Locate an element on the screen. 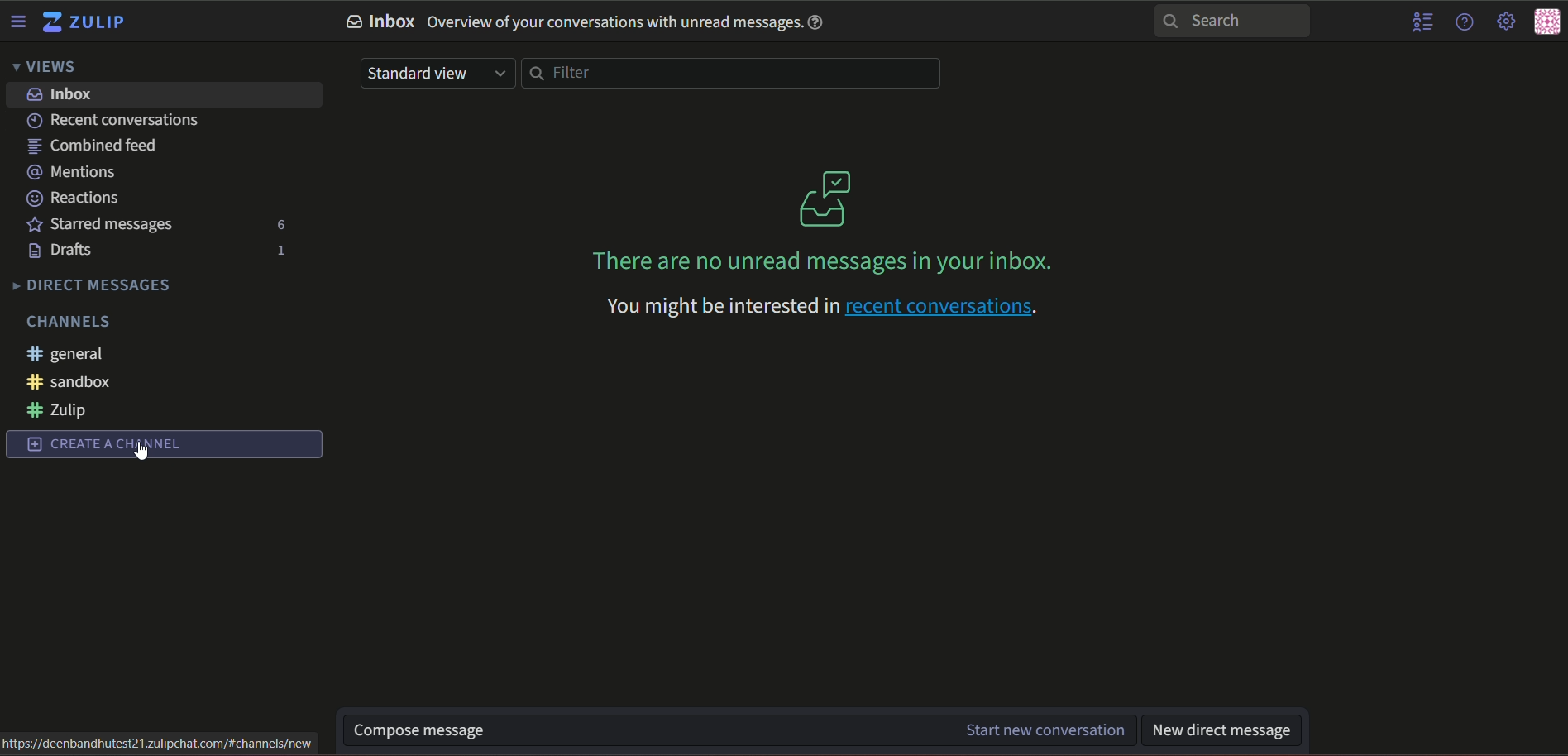  create a channel is located at coordinates (166, 446).